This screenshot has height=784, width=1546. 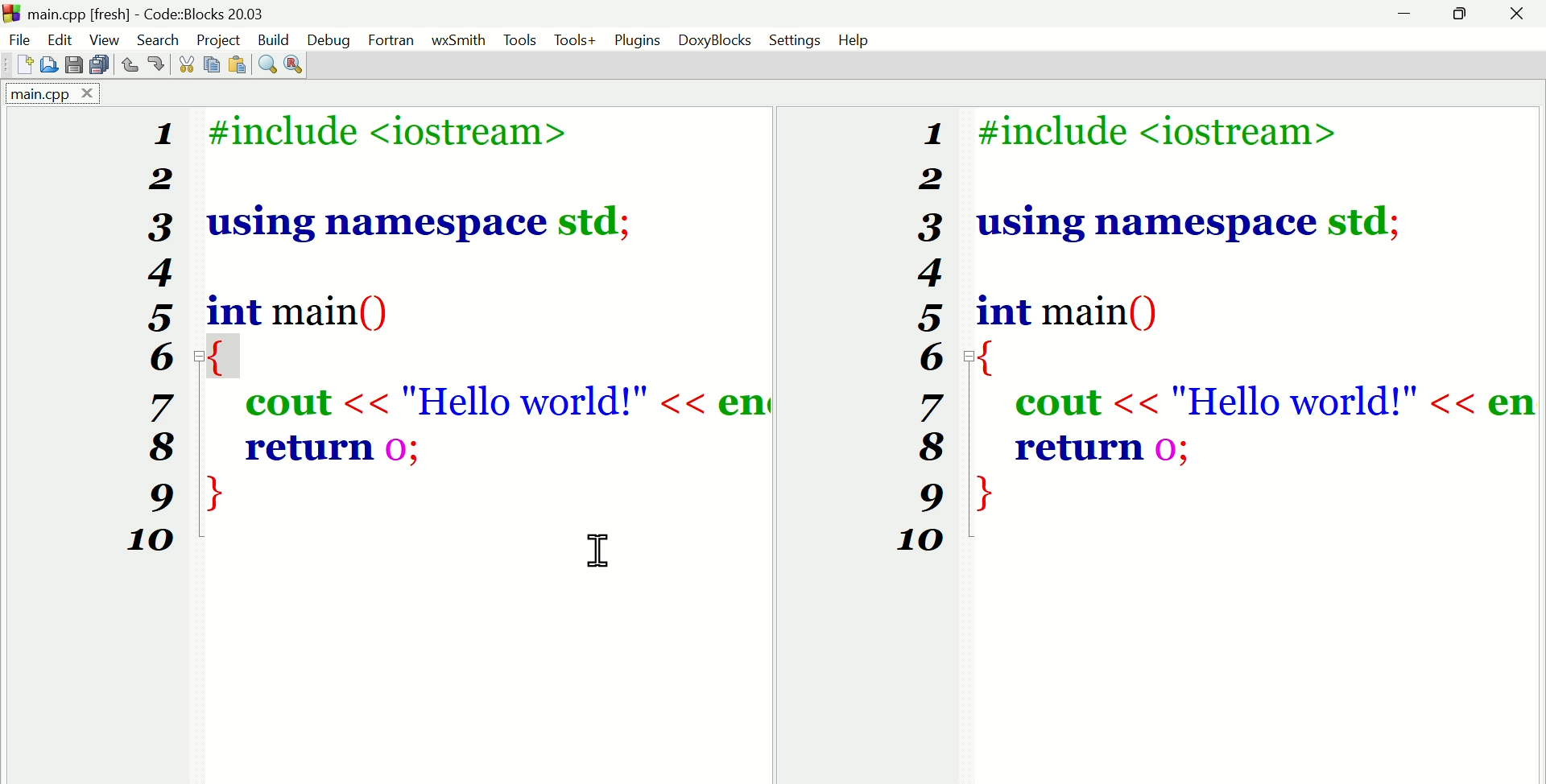 What do you see at coordinates (796, 40) in the screenshot?
I see `settings` at bounding box center [796, 40].